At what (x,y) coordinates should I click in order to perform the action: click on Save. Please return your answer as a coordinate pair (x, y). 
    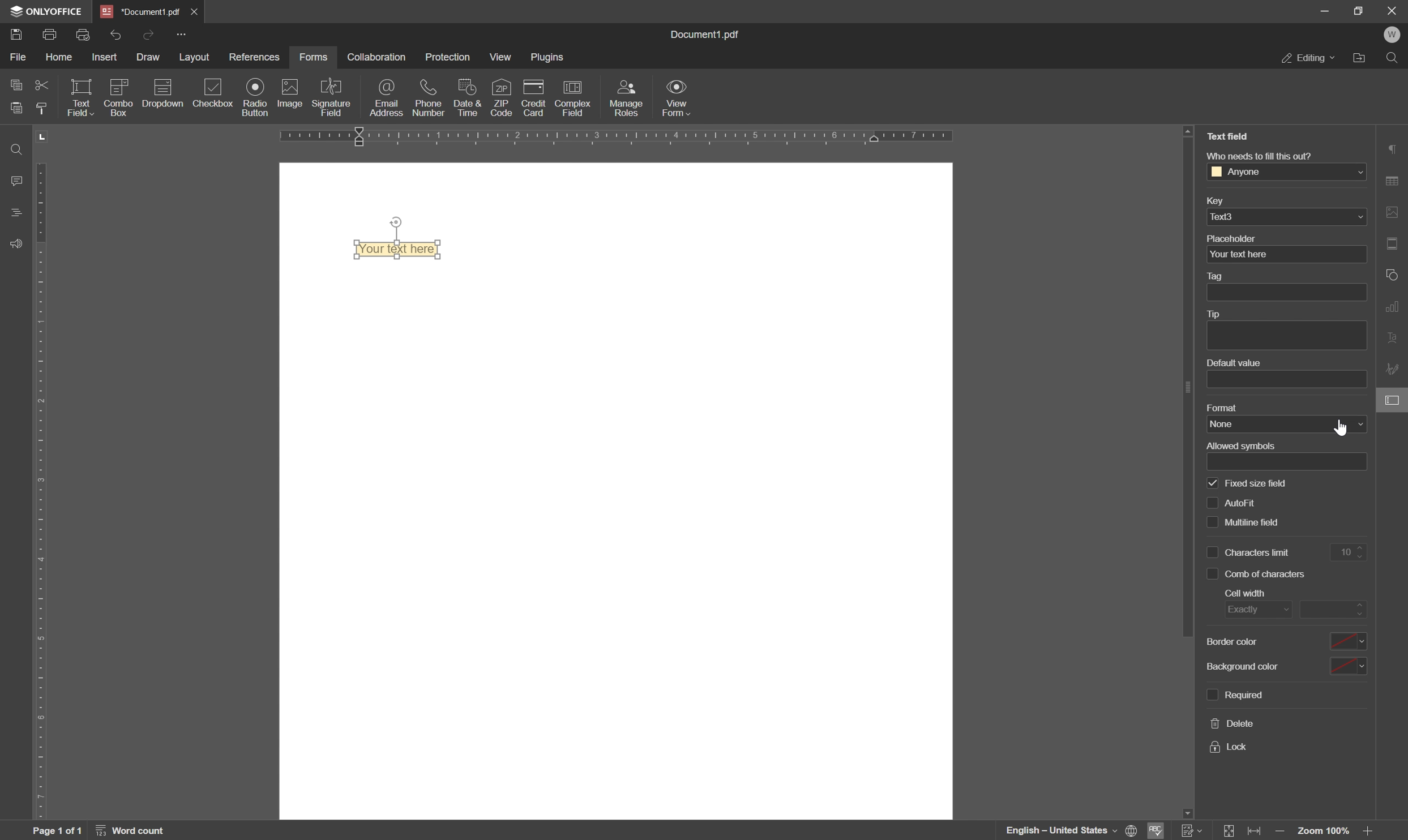
    Looking at the image, I should click on (17, 36).